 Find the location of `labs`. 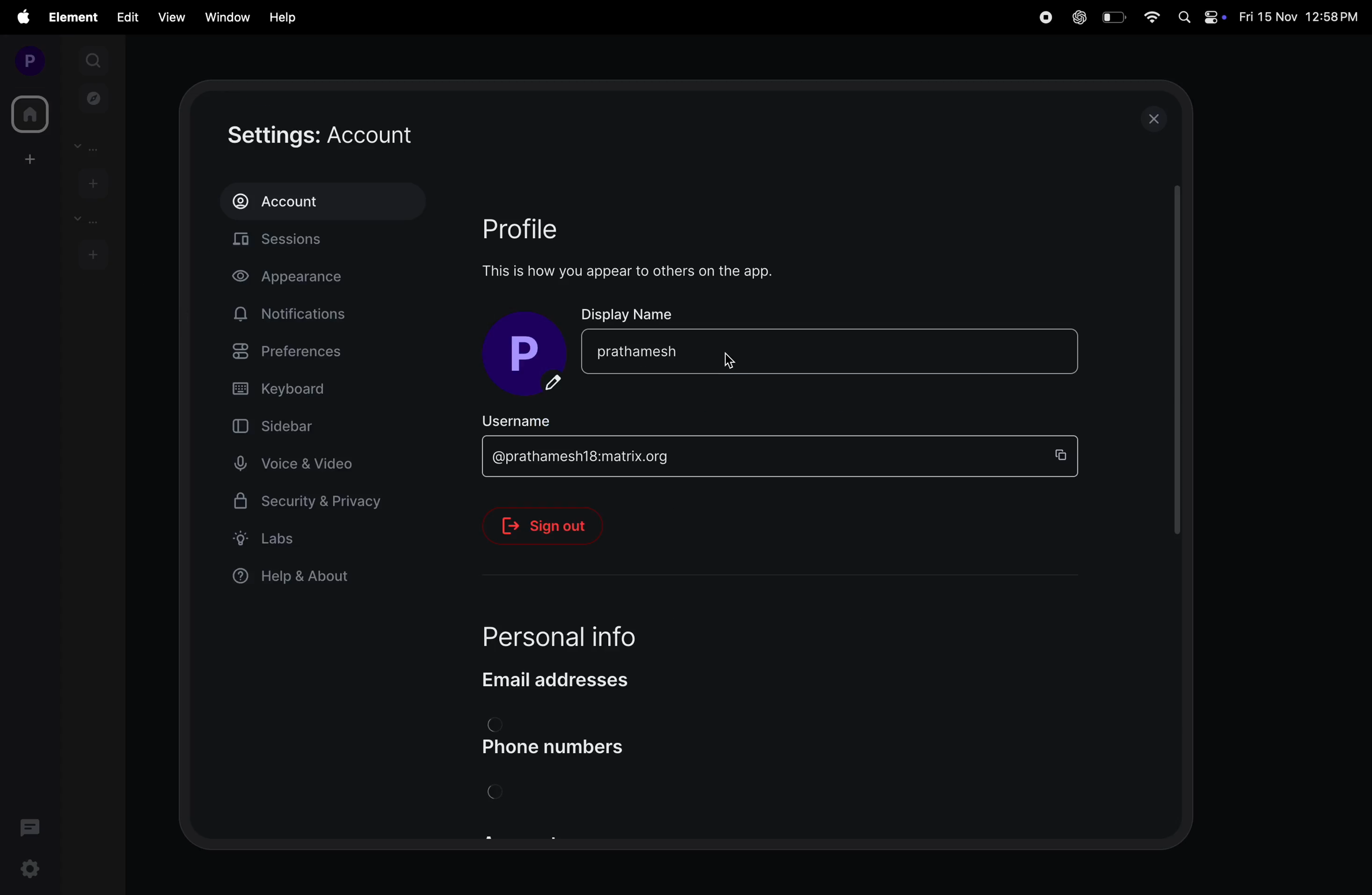

labs is located at coordinates (308, 538).